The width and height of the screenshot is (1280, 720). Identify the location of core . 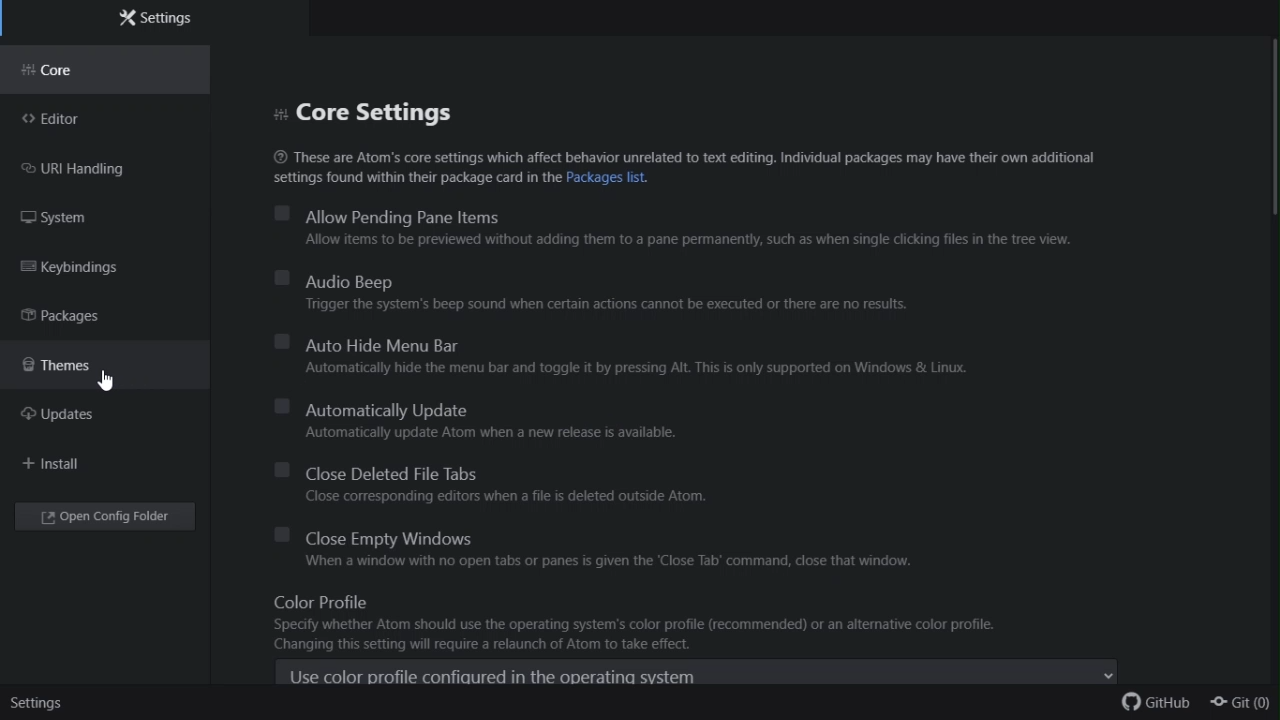
(111, 70).